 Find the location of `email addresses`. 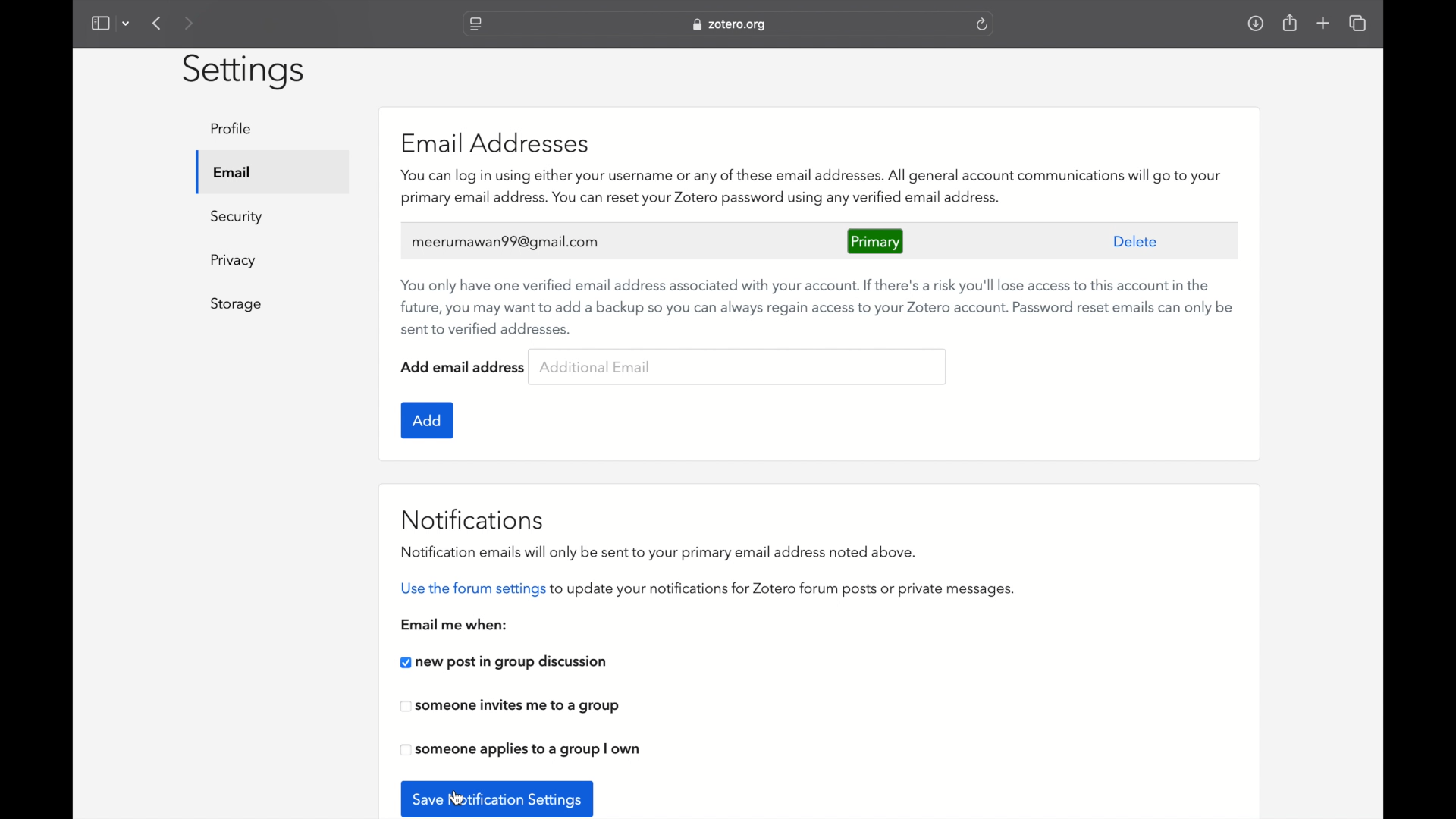

email addresses is located at coordinates (497, 143).